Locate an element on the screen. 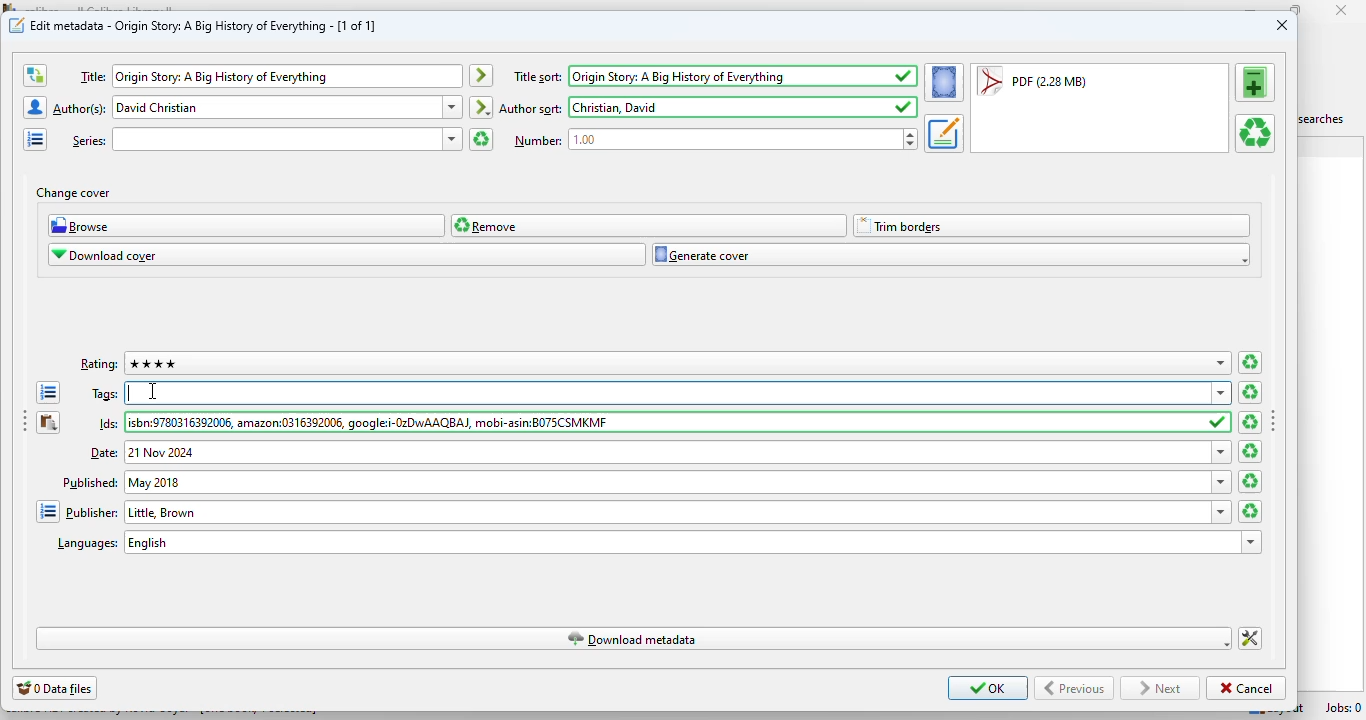  clear ids is located at coordinates (1250, 422).